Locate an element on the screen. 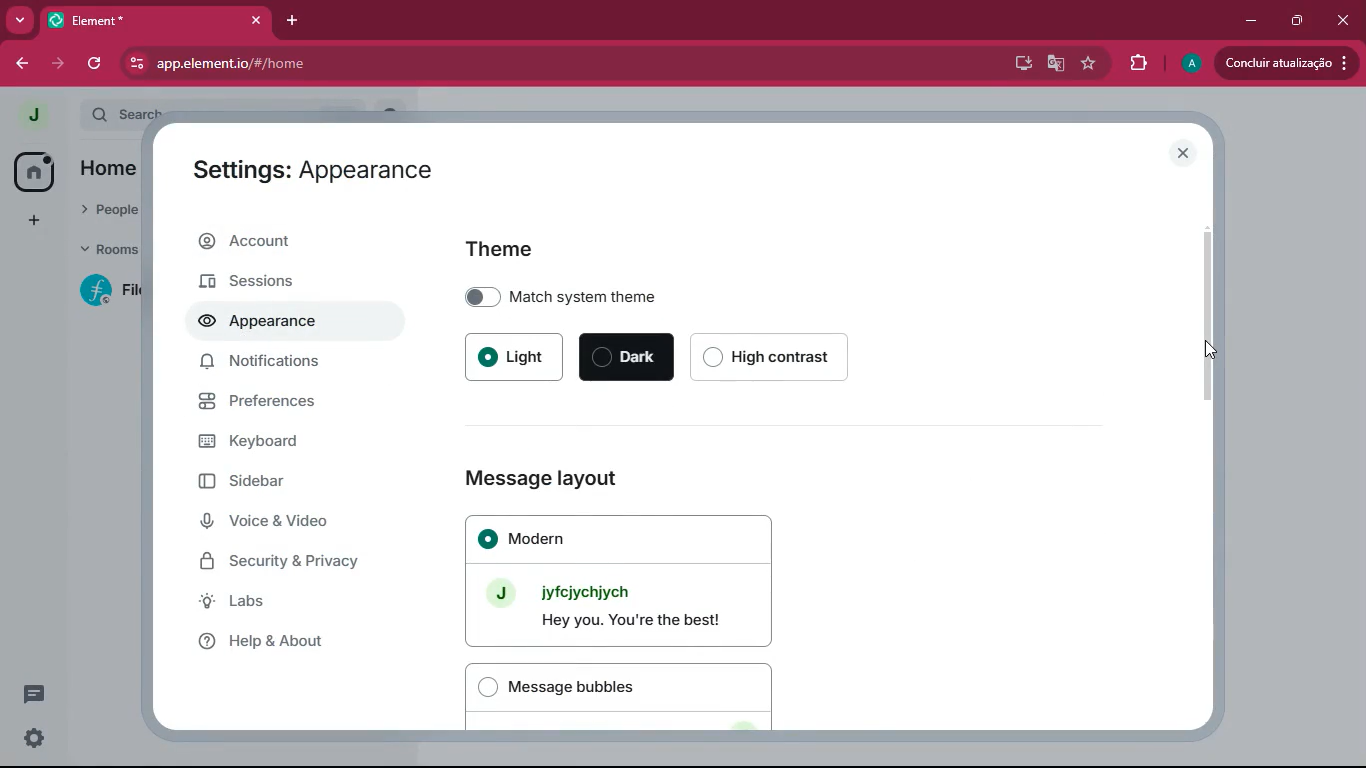 The height and width of the screenshot is (768, 1366). refresh is located at coordinates (97, 66).